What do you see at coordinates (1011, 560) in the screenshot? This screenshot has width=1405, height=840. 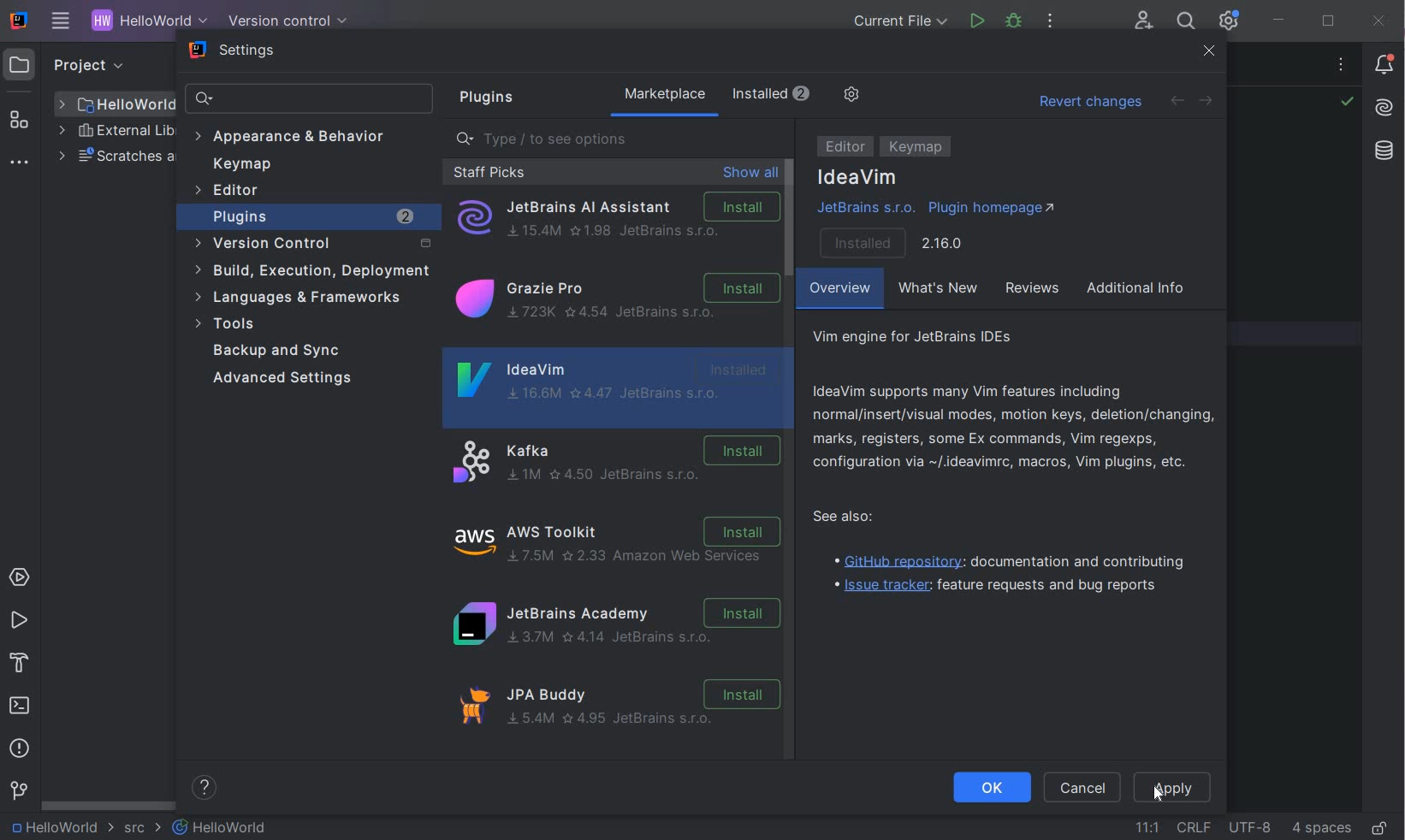 I see `GitHub repository` at bounding box center [1011, 560].